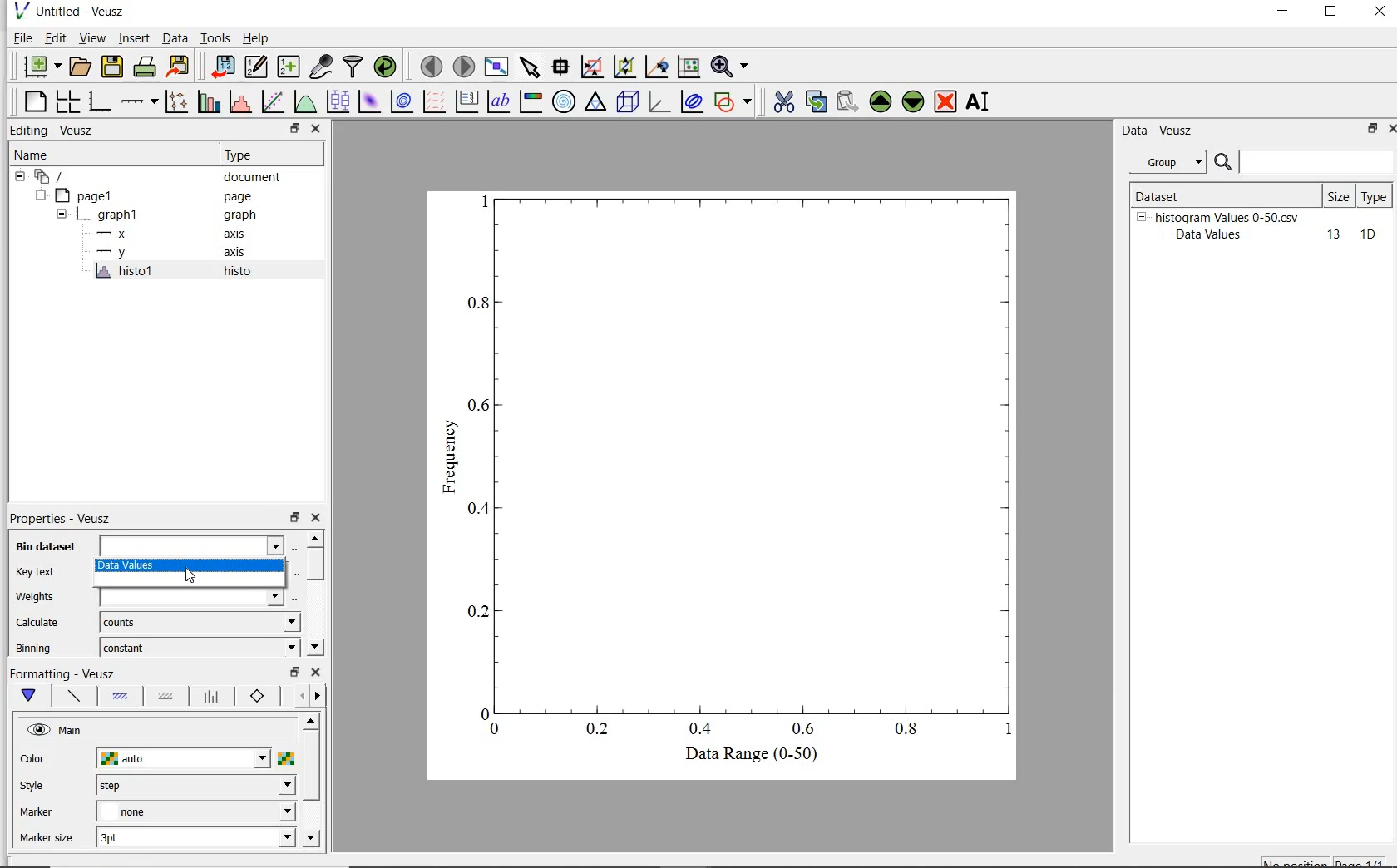  Describe the element at coordinates (115, 235) in the screenshot. I see `x- axis` at that location.